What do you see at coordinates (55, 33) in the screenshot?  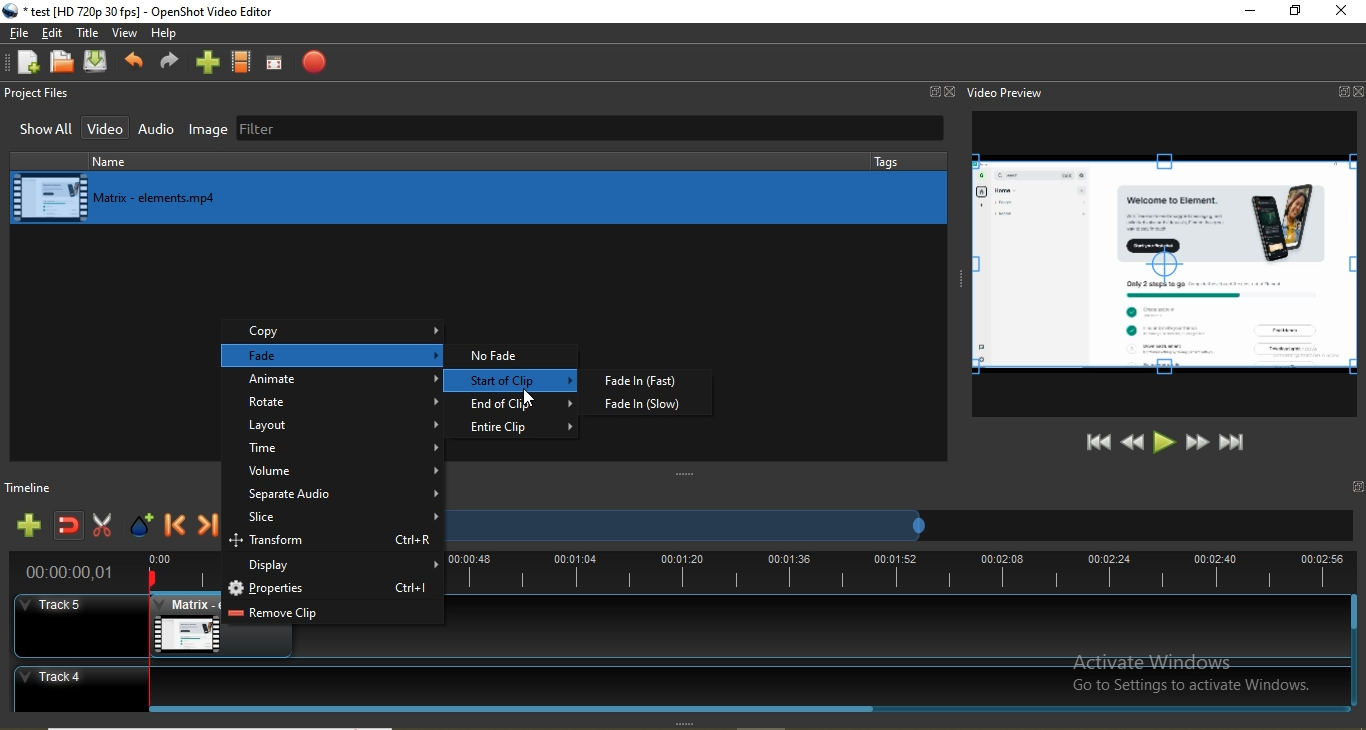 I see `Edit ` at bounding box center [55, 33].